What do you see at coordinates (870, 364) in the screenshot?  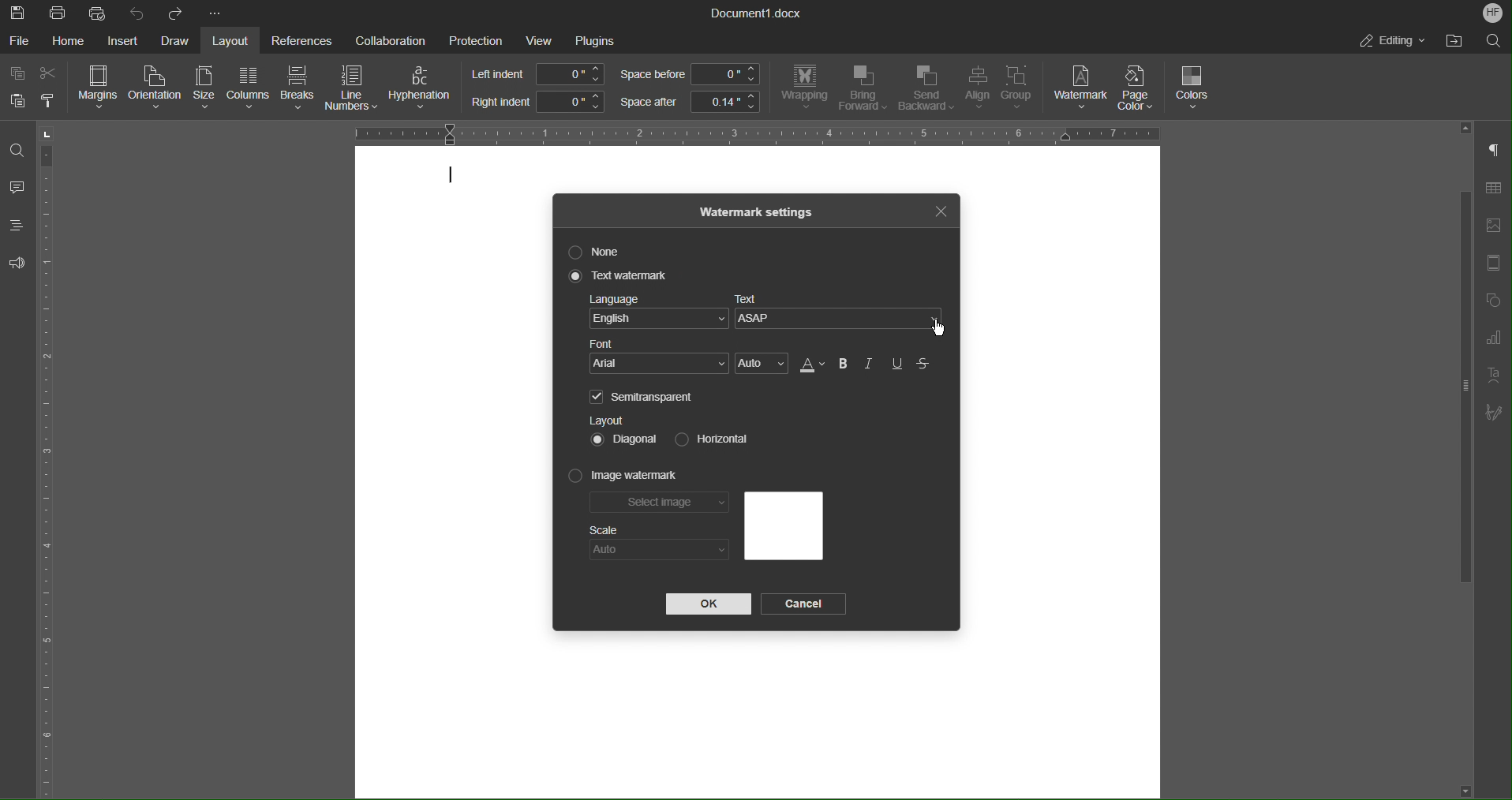 I see `Italic` at bounding box center [870, 364].